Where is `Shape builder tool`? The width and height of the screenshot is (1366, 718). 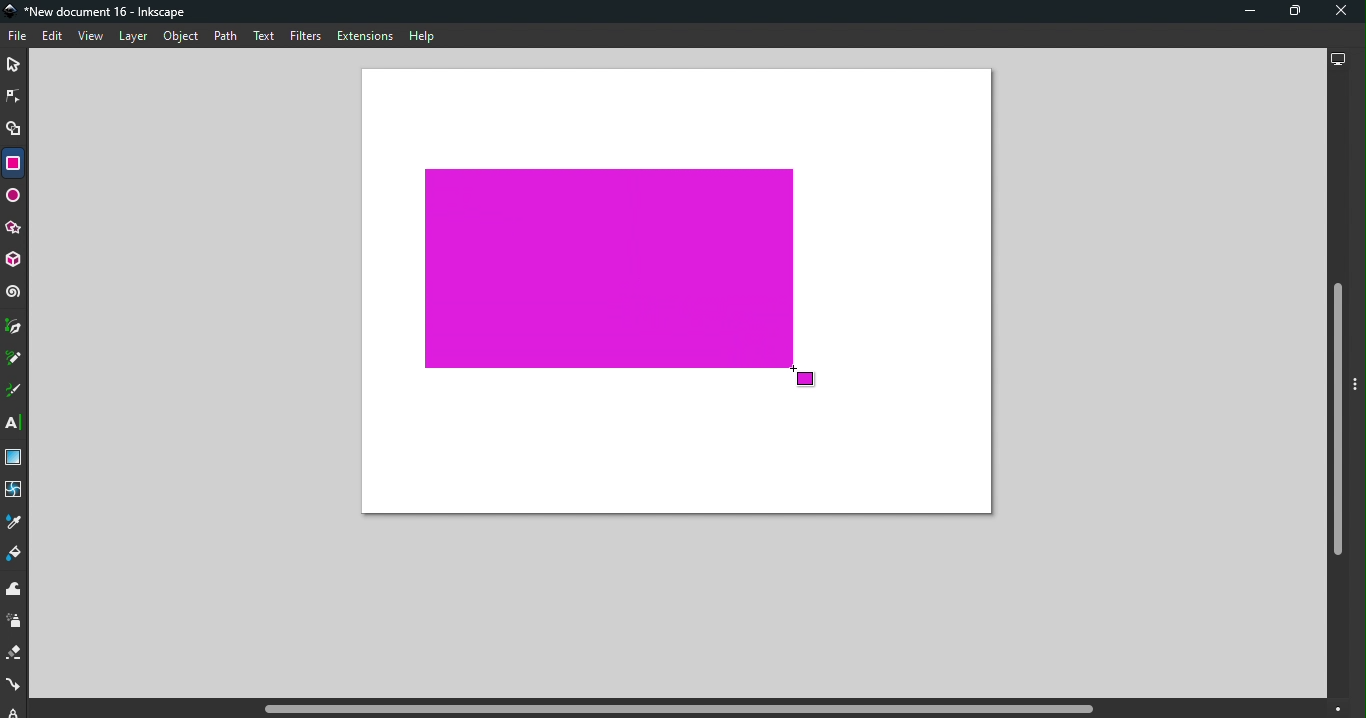
Shape builder tool is located at coordinates (16, 132).